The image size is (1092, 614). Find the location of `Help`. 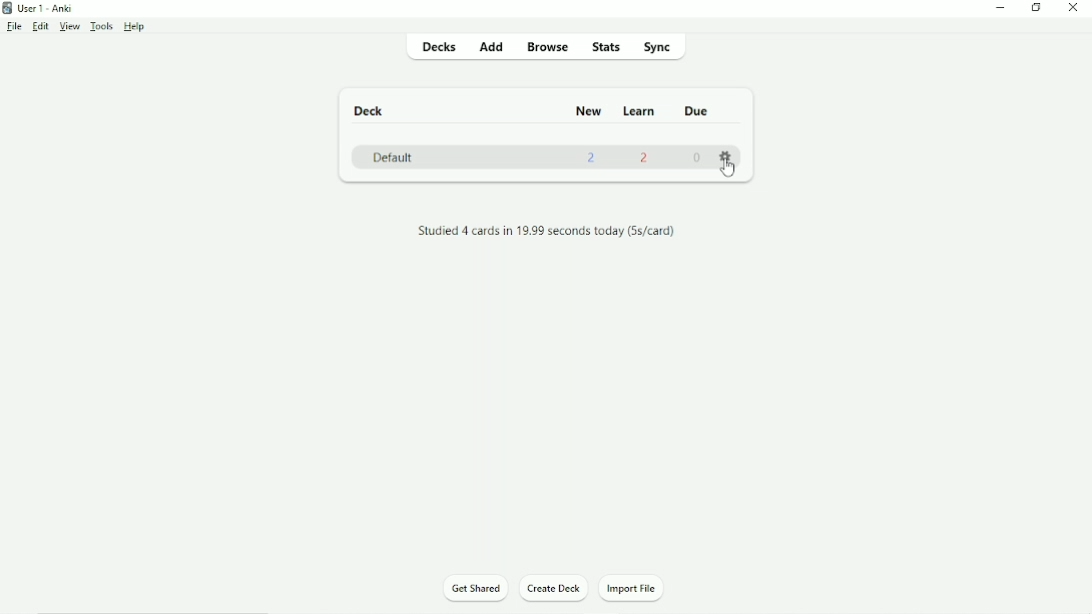

Help is located at coordinates (134, 27).